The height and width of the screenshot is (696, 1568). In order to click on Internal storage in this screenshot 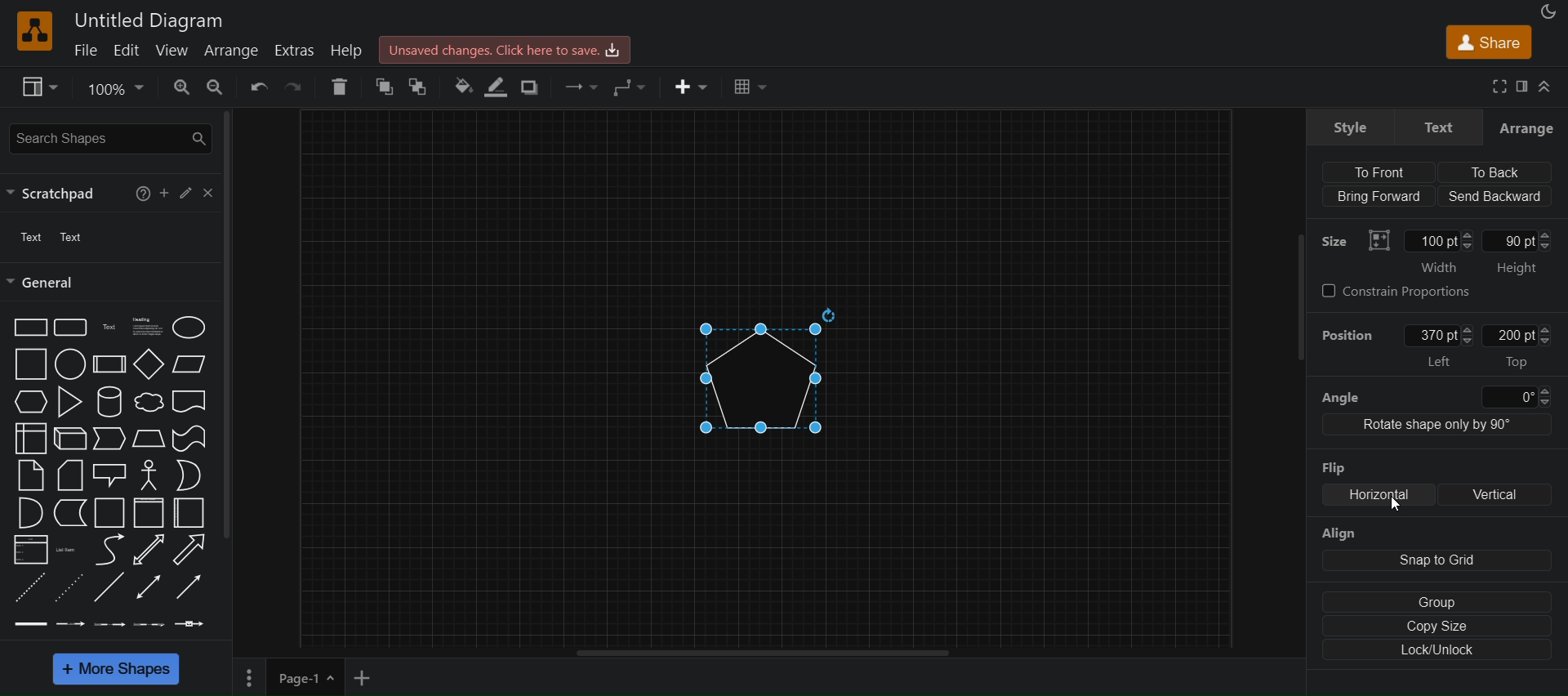, I will do `click(30, 439)`.